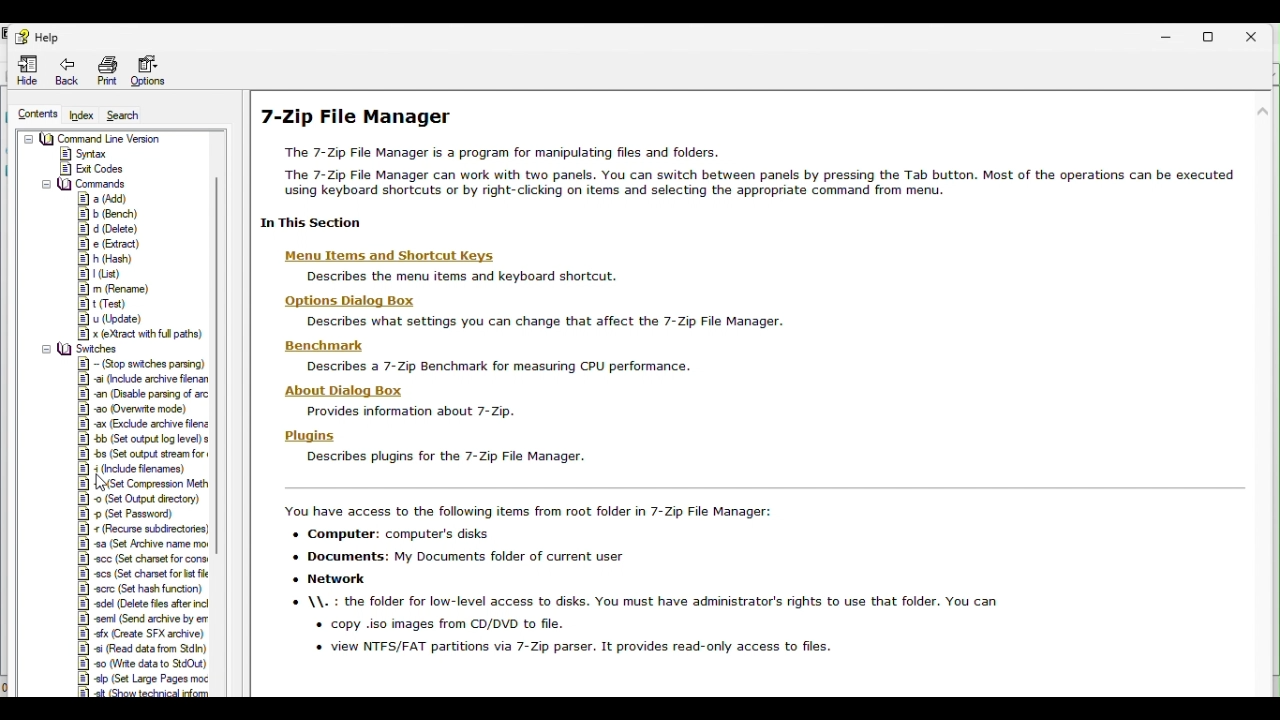  I want to click on menu items and shortcut, so click(391, 257).